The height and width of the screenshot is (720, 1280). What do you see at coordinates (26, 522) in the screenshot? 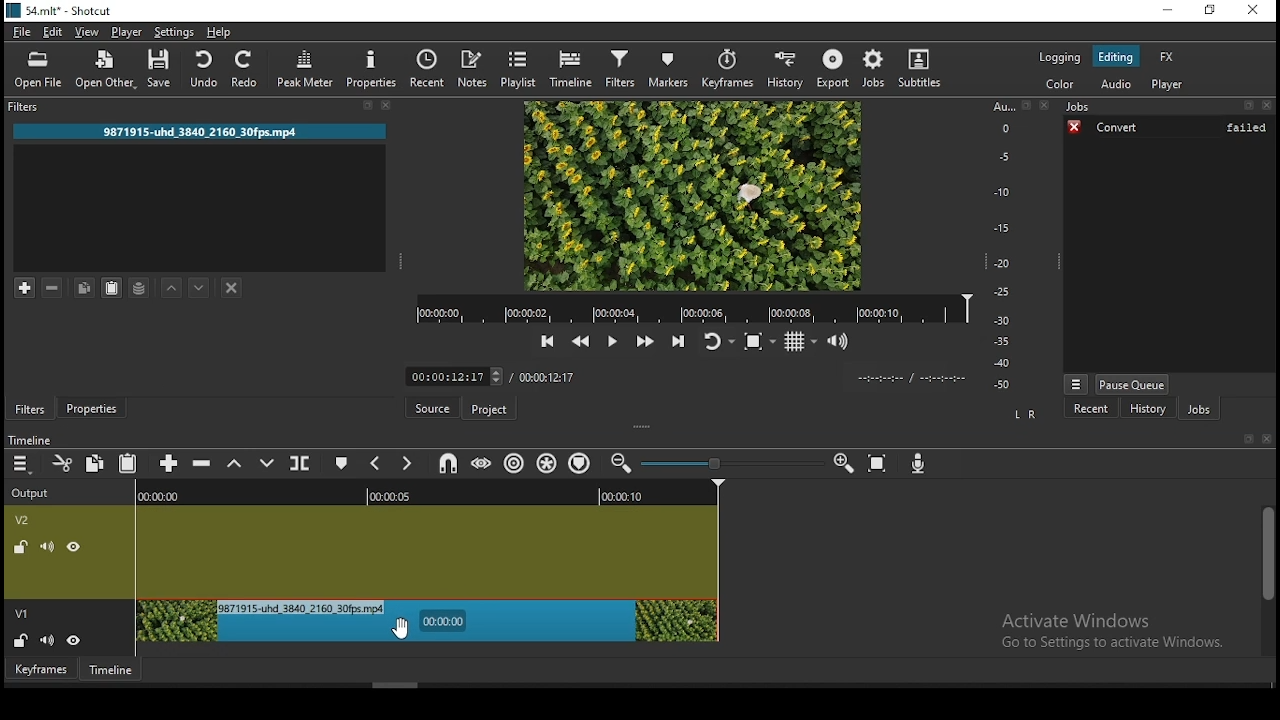
I see `v2` at bounding box center [26, 522].